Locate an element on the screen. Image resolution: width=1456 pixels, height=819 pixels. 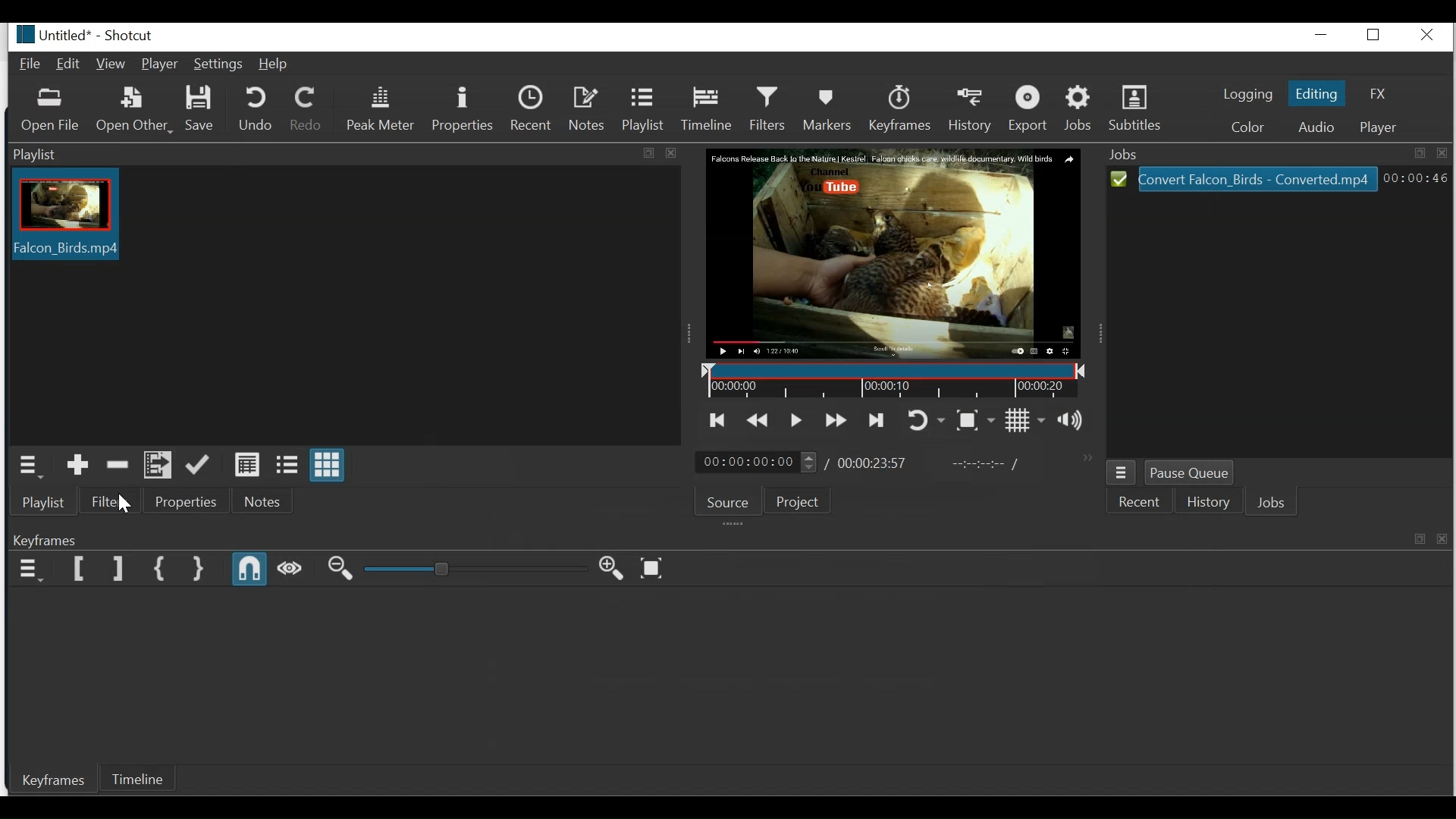
Timeline is located at coordinates (891, 380).